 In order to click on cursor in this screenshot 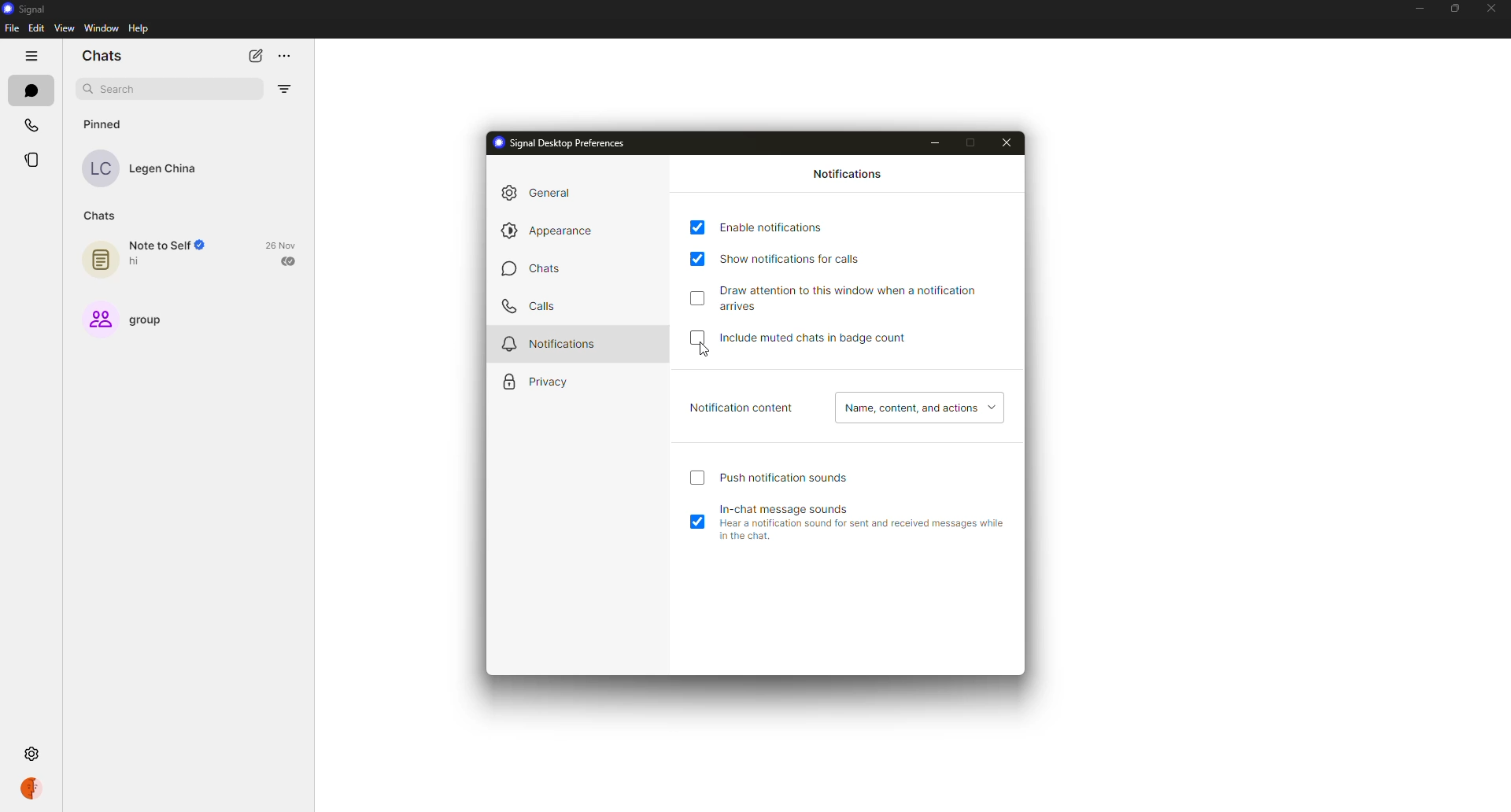, I will do `click(703, 353)`.